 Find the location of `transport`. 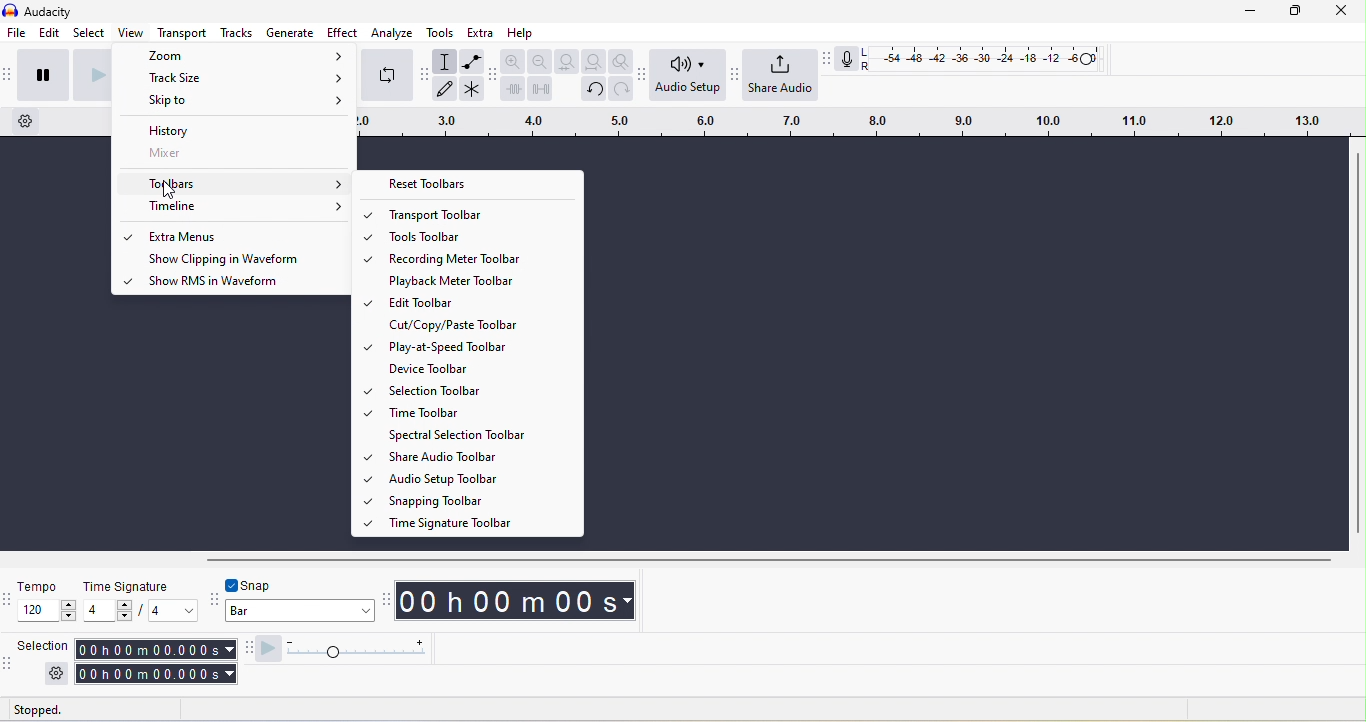

transport is located at coordinates (182, 32).